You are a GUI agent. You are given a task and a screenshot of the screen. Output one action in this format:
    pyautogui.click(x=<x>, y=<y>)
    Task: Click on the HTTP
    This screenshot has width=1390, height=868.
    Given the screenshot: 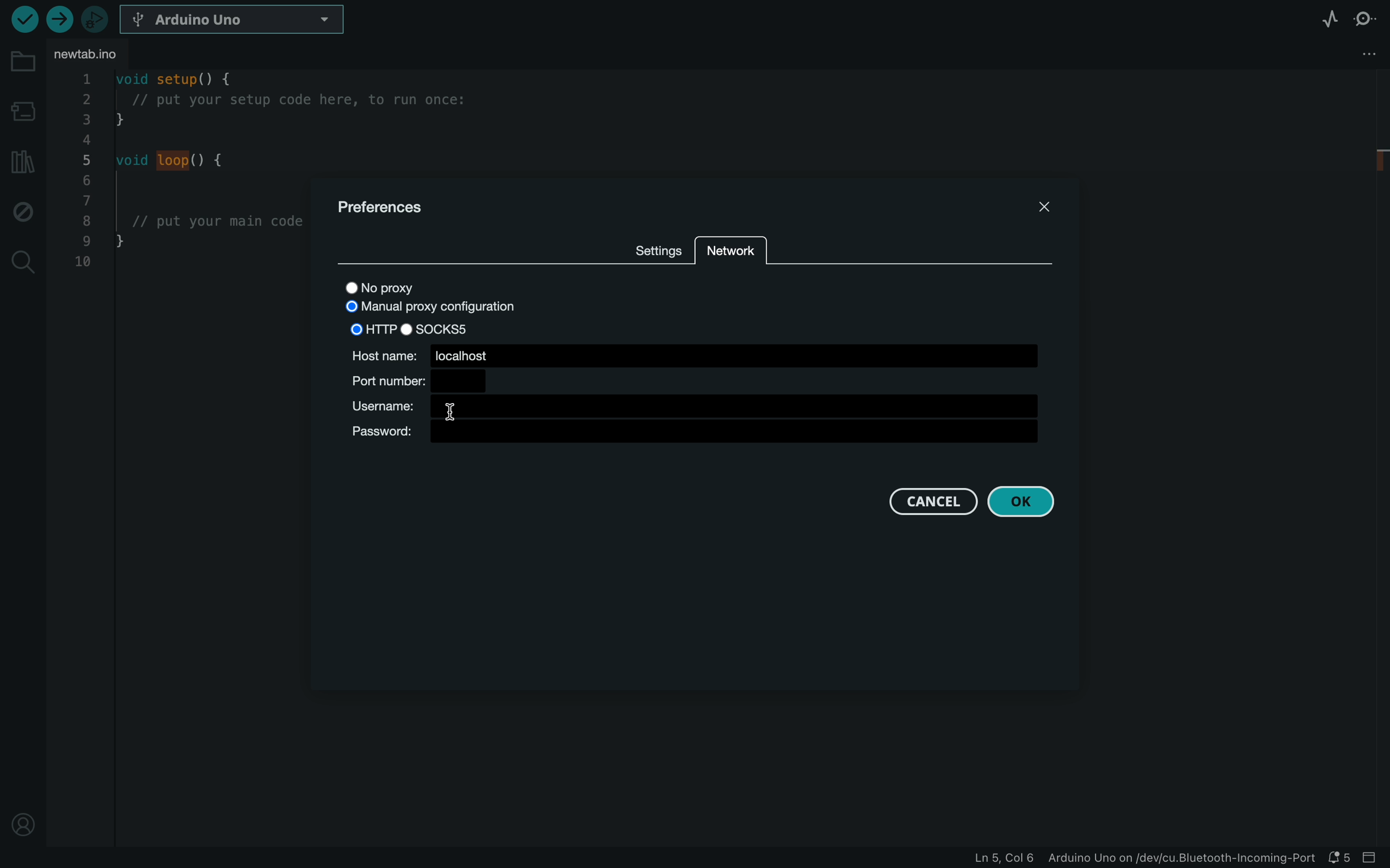 What is the action you would take?
    pyautogui.click(x=368, y=328)
    